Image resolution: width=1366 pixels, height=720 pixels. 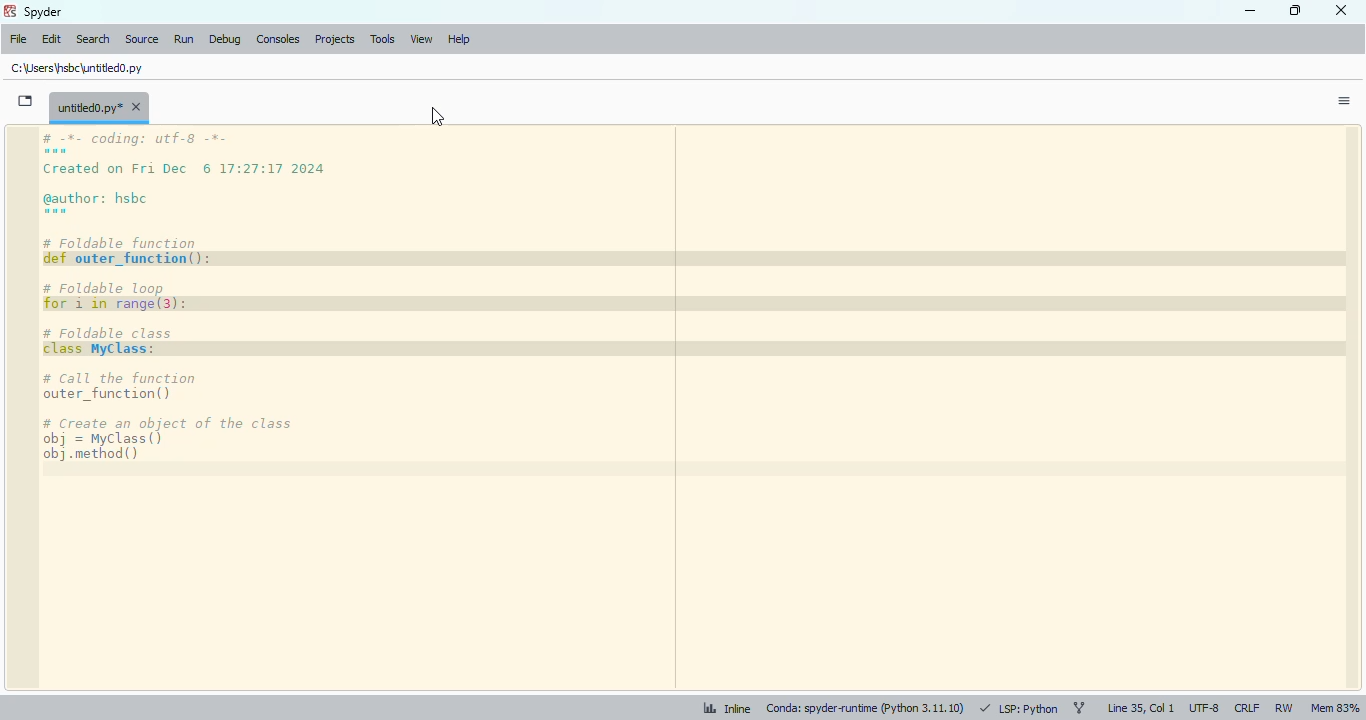 I want to click on spyder, so click(x=43, y=11).